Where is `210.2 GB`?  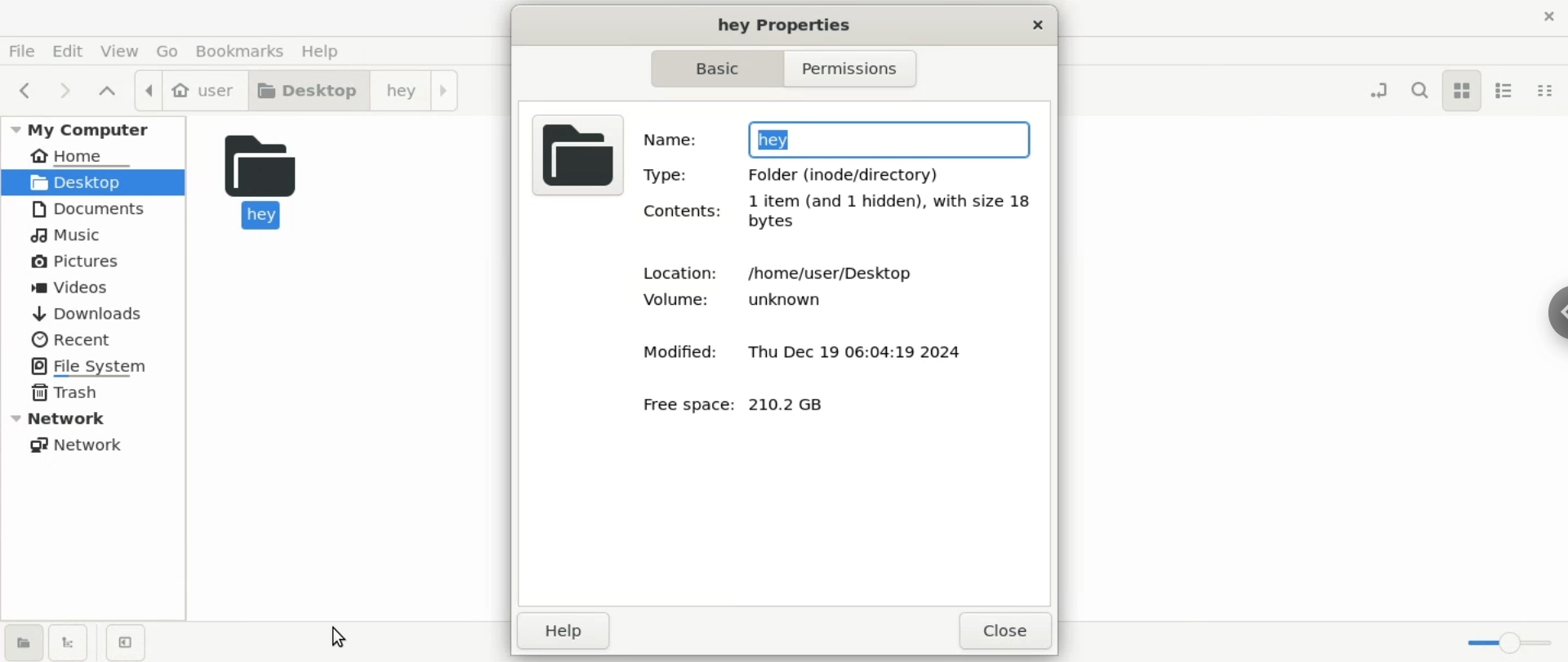
210.2 GB is located at coordinates (798, 405).